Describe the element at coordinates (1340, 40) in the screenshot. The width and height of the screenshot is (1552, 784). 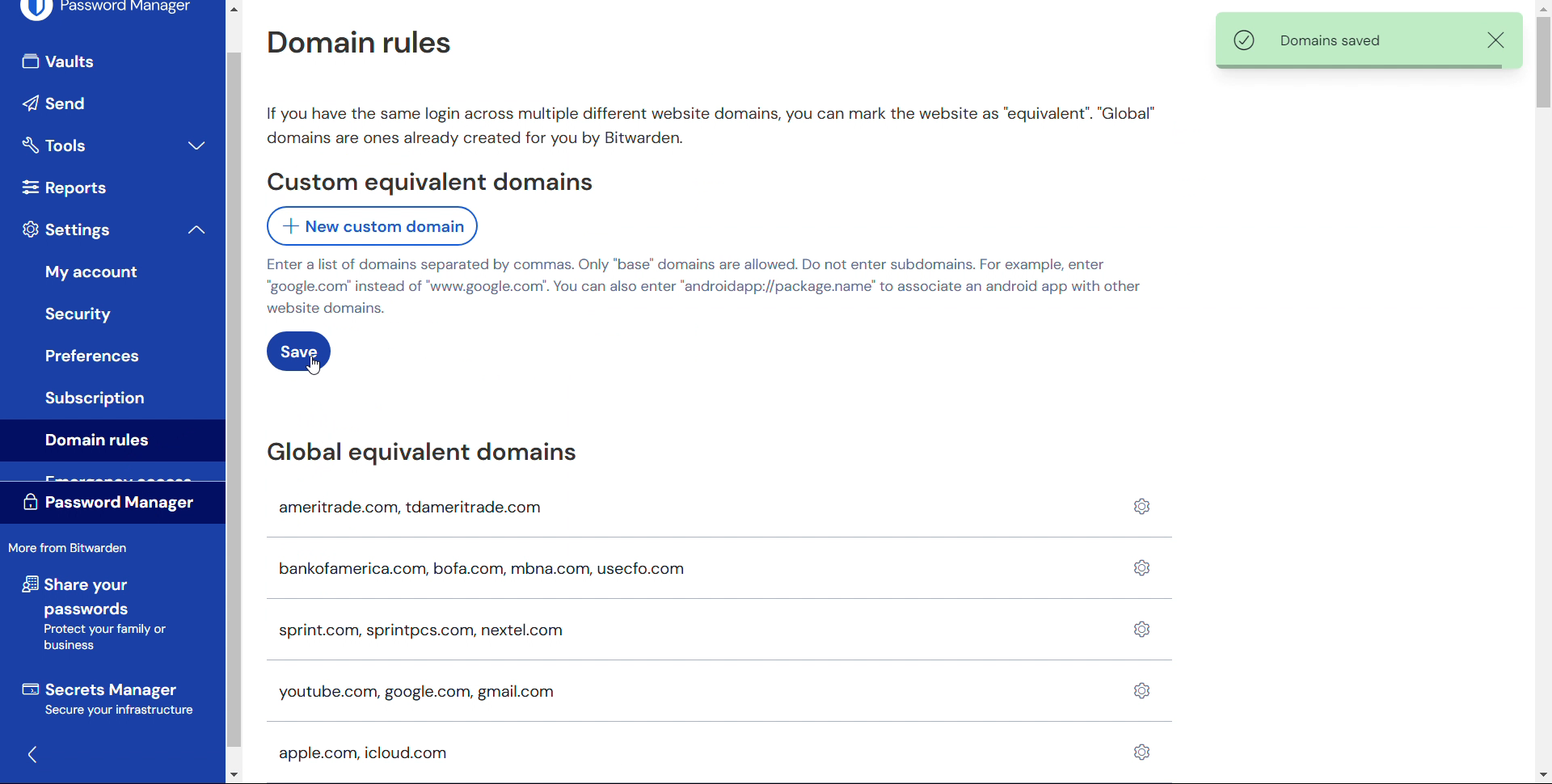
I see `Domains saved ` at that location.